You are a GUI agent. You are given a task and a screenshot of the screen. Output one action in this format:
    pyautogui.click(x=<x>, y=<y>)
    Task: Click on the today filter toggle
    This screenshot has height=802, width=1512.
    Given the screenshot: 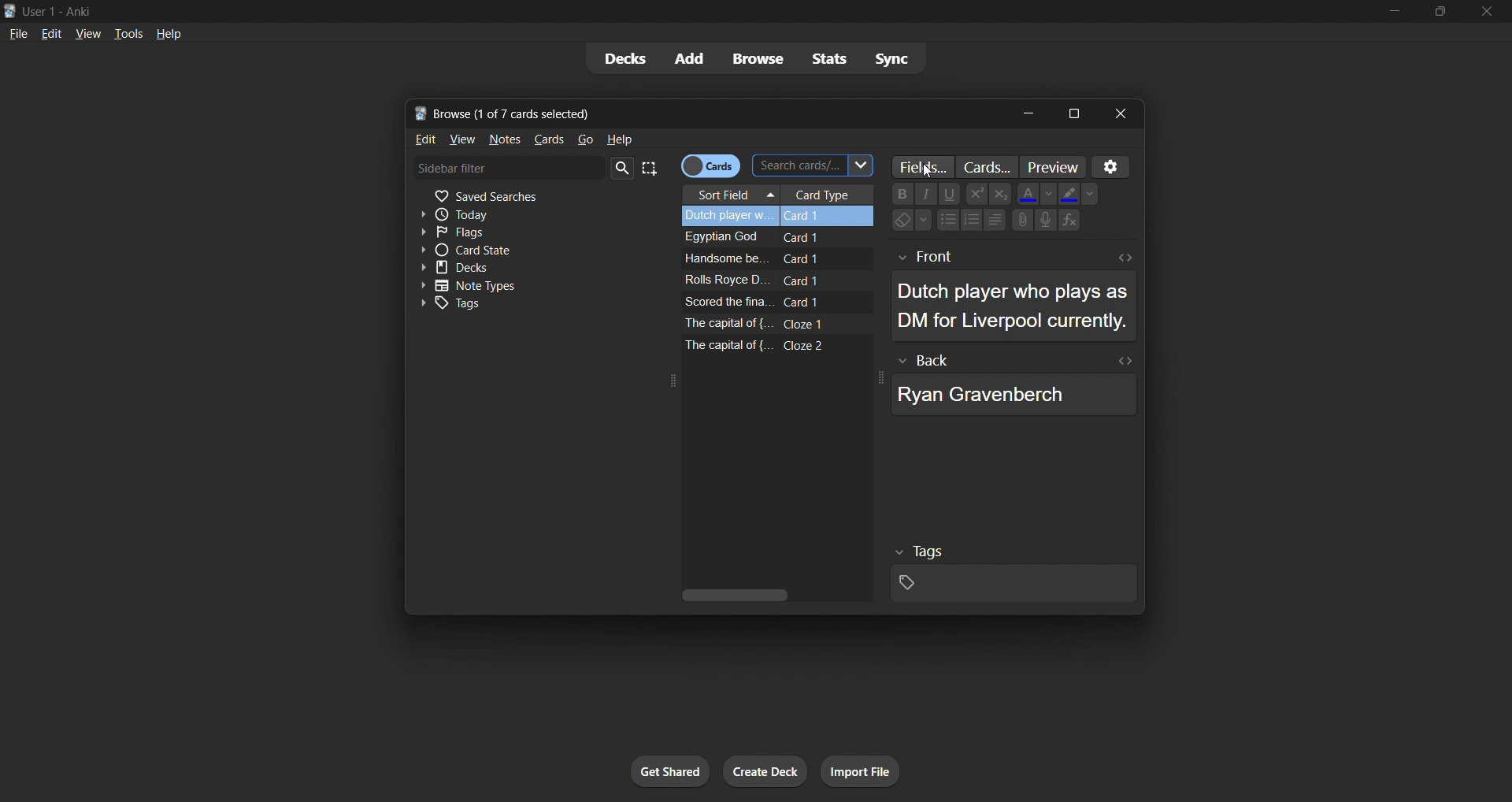 What is the action you would take?
    pyautogui.click(x=532, y=214)
    